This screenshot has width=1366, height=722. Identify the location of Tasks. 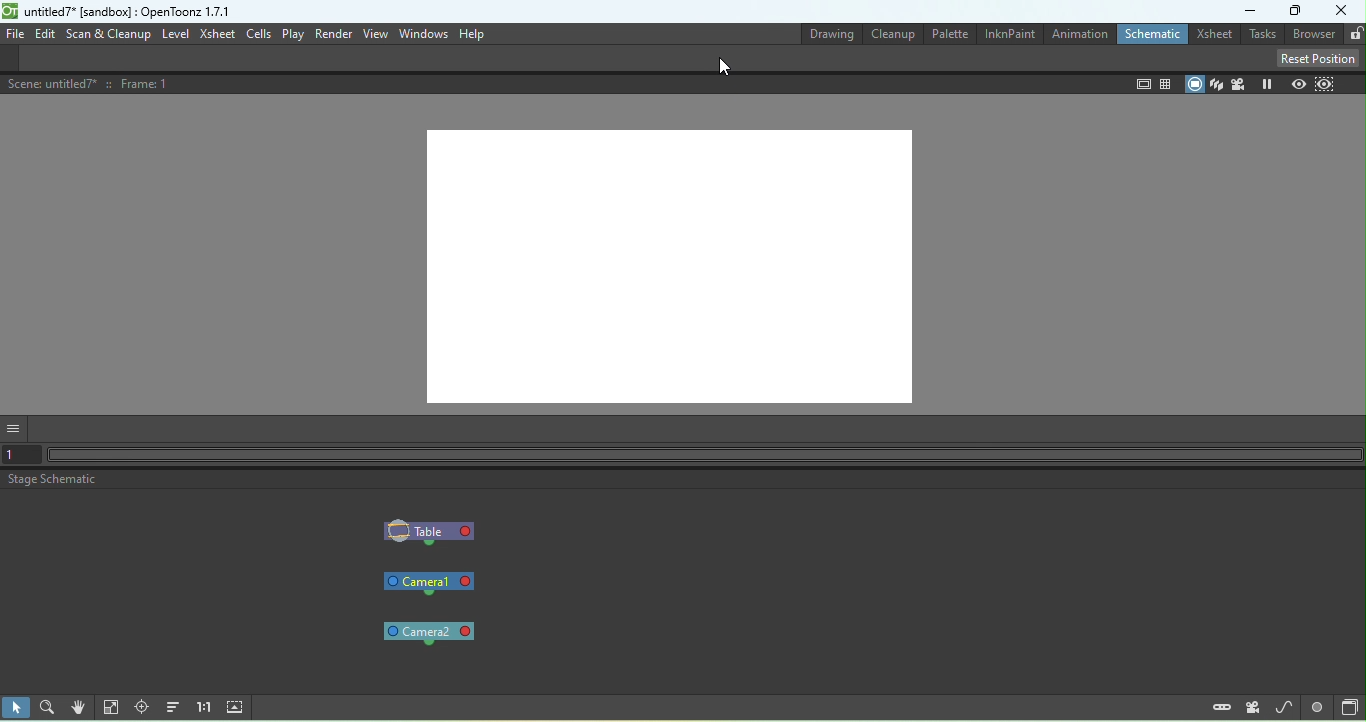
(1265, 34).